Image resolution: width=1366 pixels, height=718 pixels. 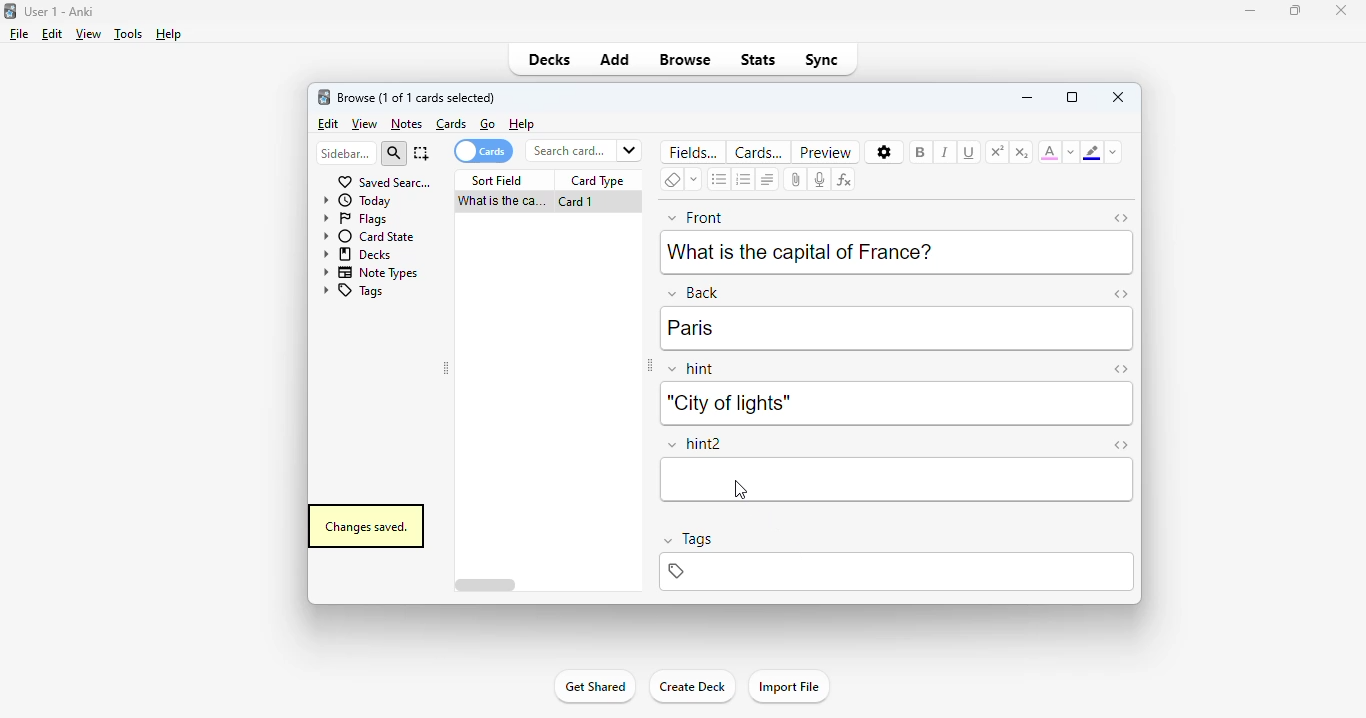 I want to click on hint2, so click(x=696, y=444).